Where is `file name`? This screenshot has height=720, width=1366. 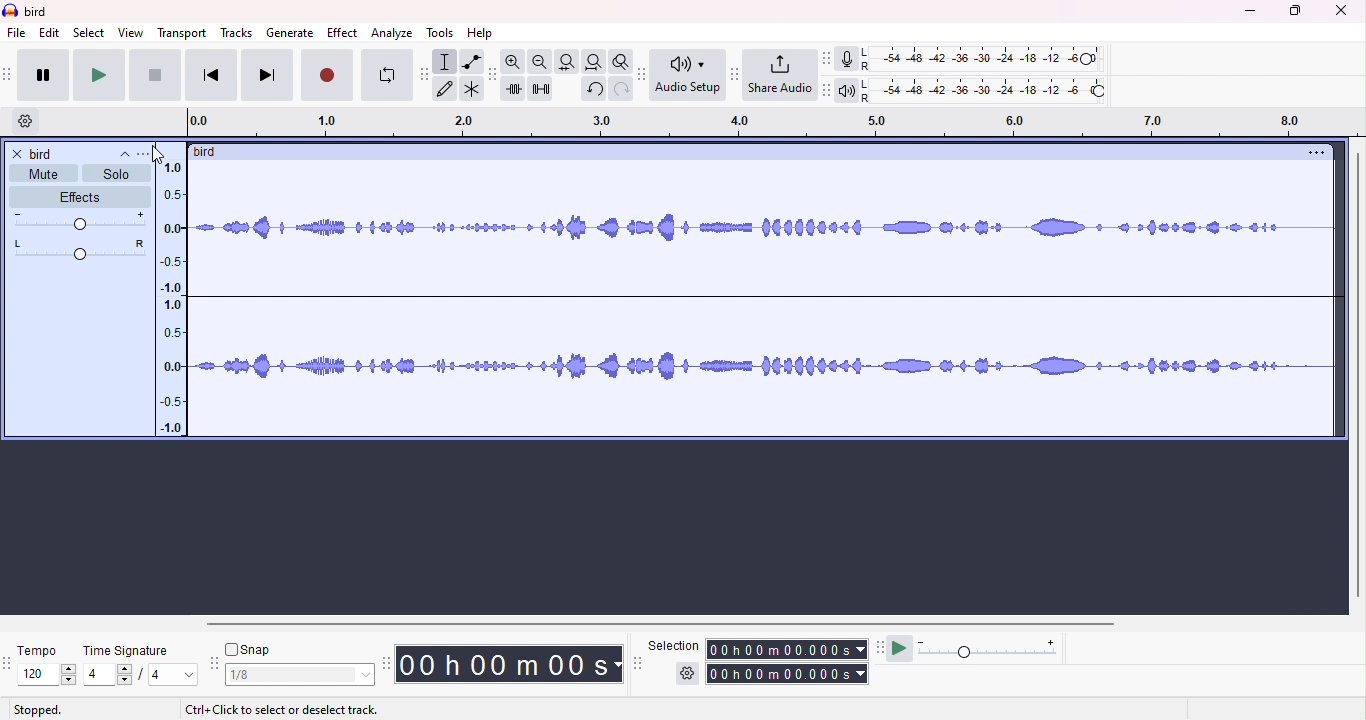
file name is located at coordinates (81, 155).